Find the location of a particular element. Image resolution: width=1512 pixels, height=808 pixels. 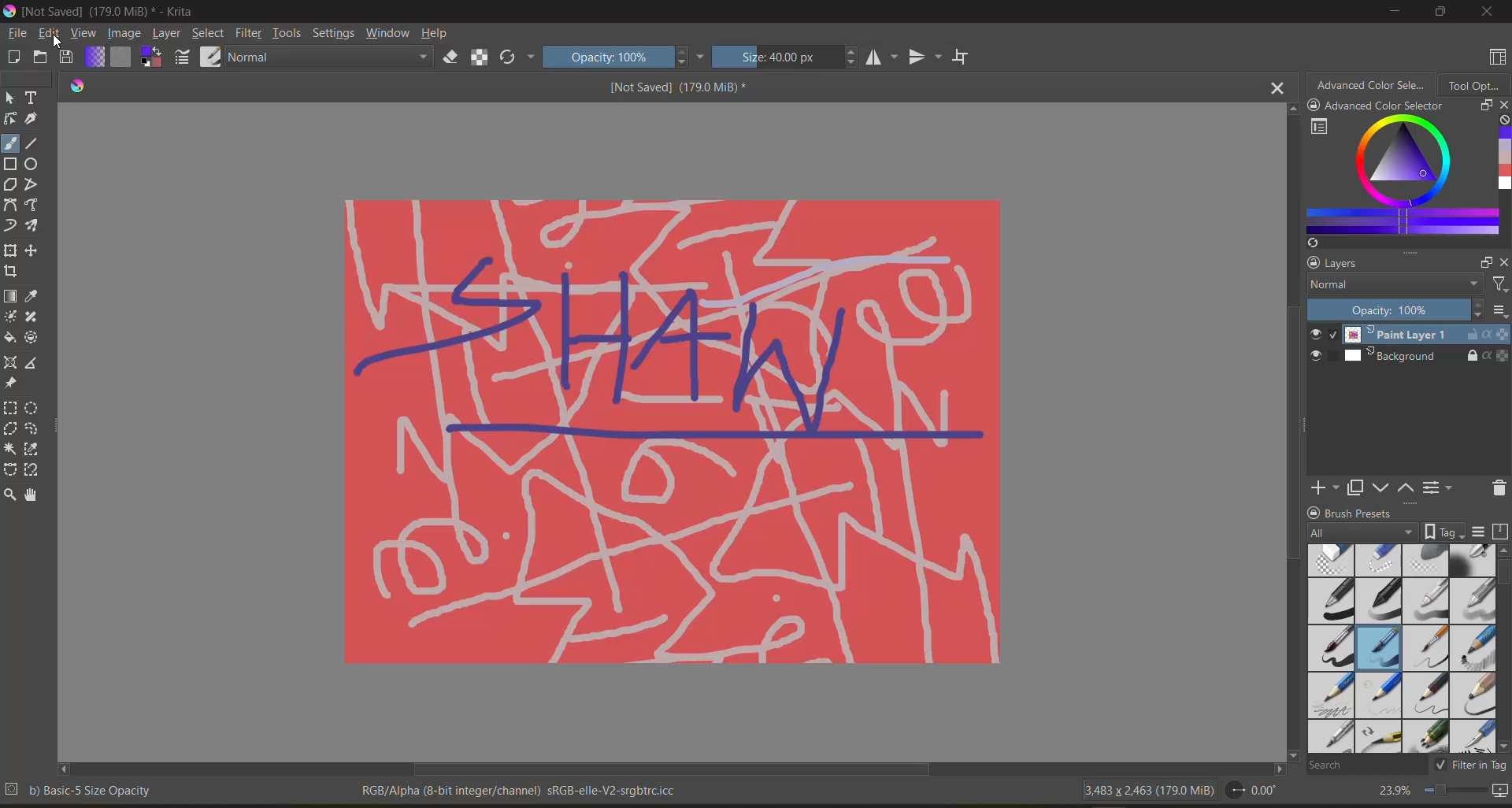

choose brush preset is located at coordinates (213, 56).